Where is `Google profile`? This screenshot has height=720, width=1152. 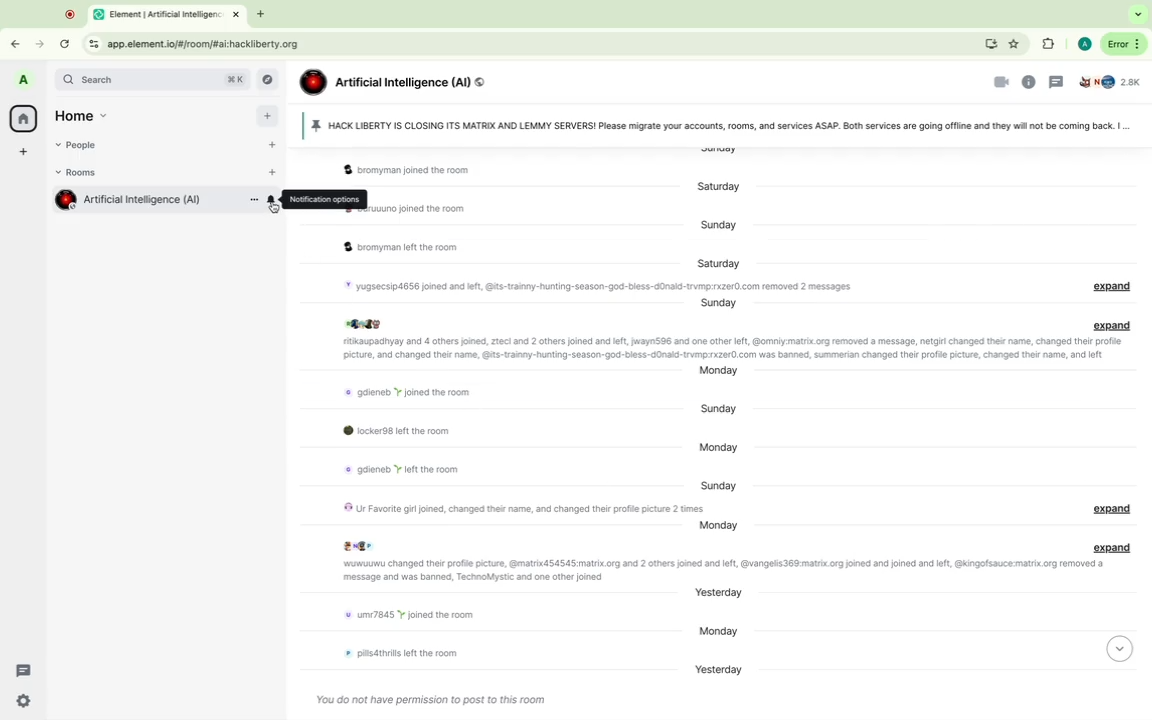 Google profile is located at coordinates (1082, 46).